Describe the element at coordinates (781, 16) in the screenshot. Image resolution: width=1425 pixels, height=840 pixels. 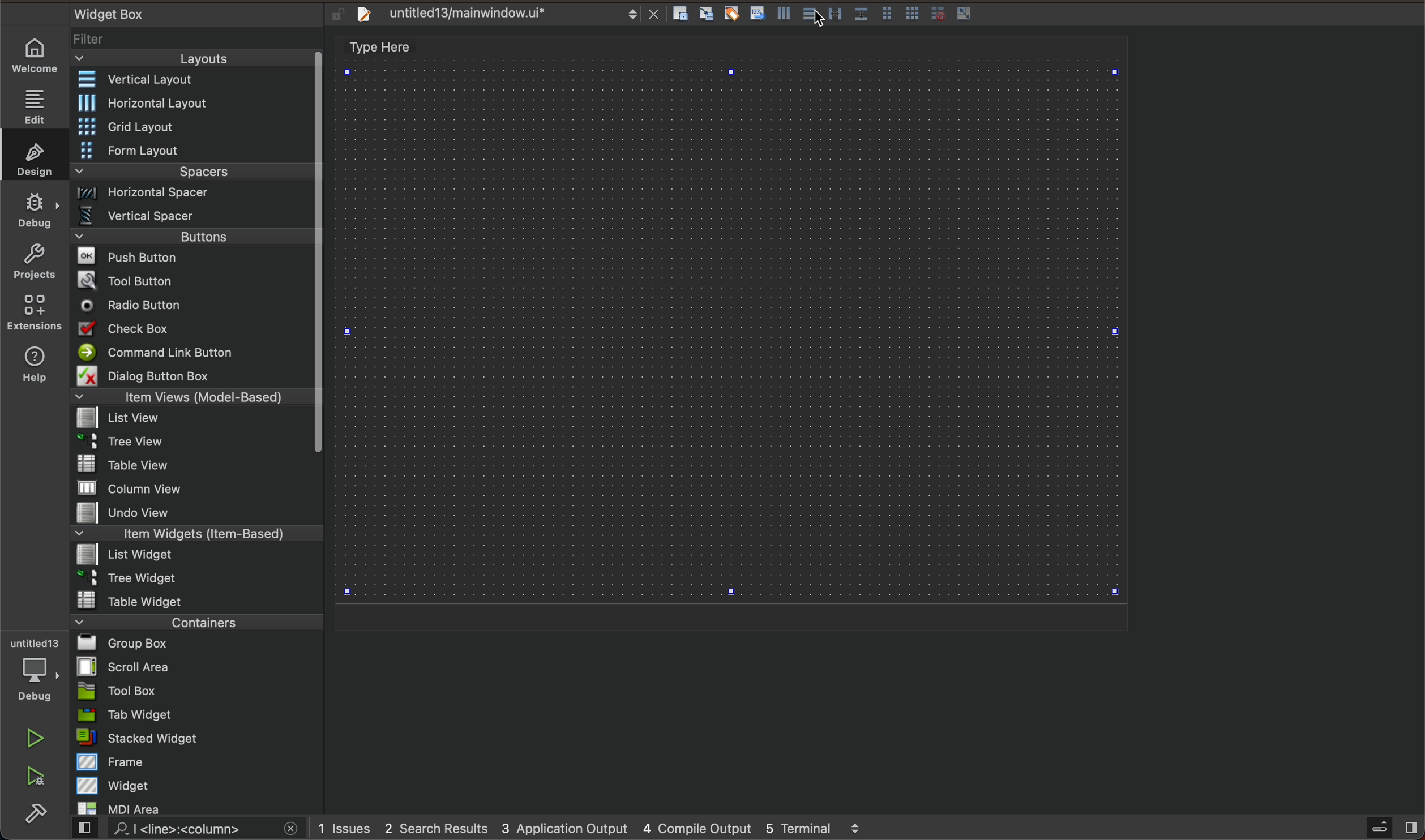
I see `vartical layout` at that location.